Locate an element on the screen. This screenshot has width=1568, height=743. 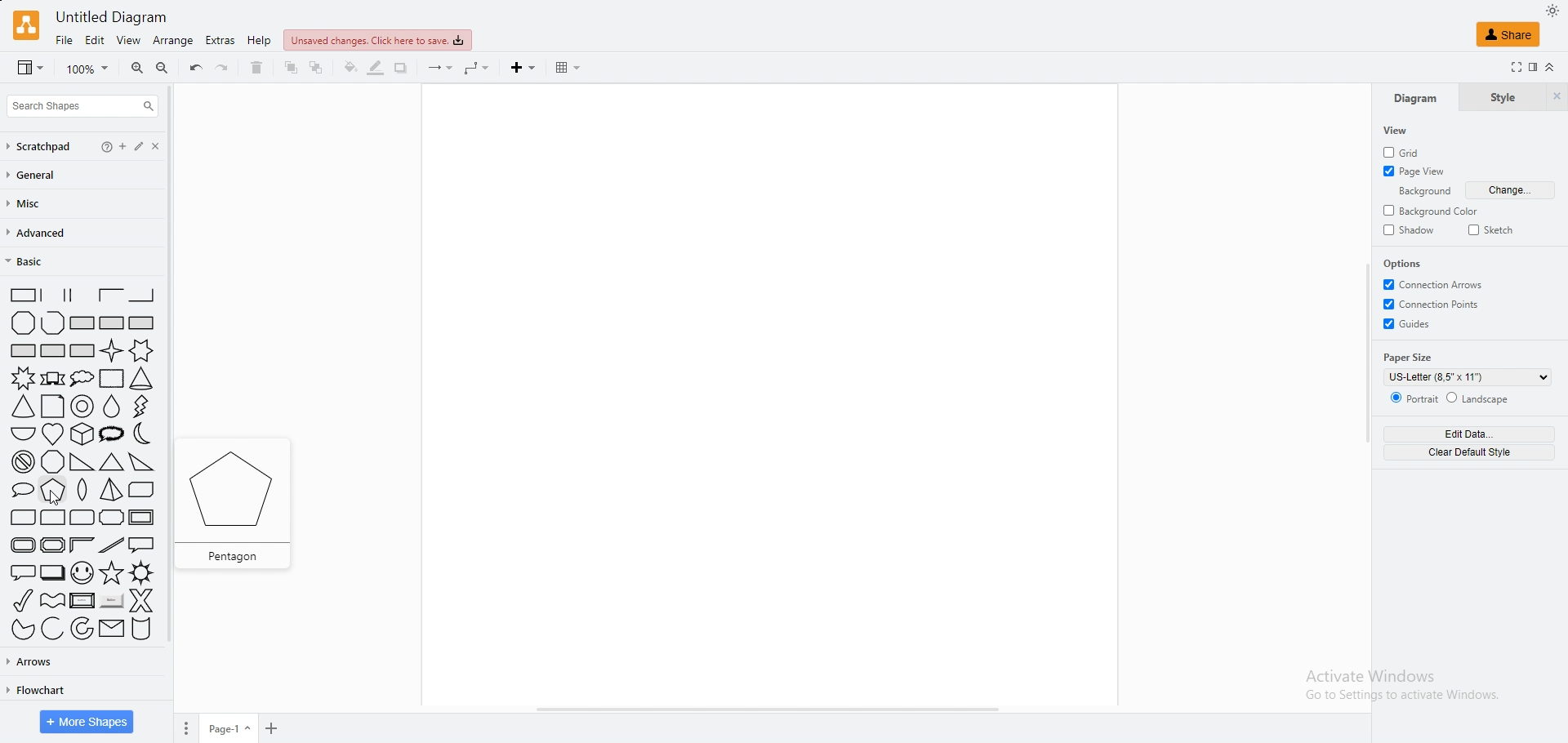
view is located at coordinates (128, 41).